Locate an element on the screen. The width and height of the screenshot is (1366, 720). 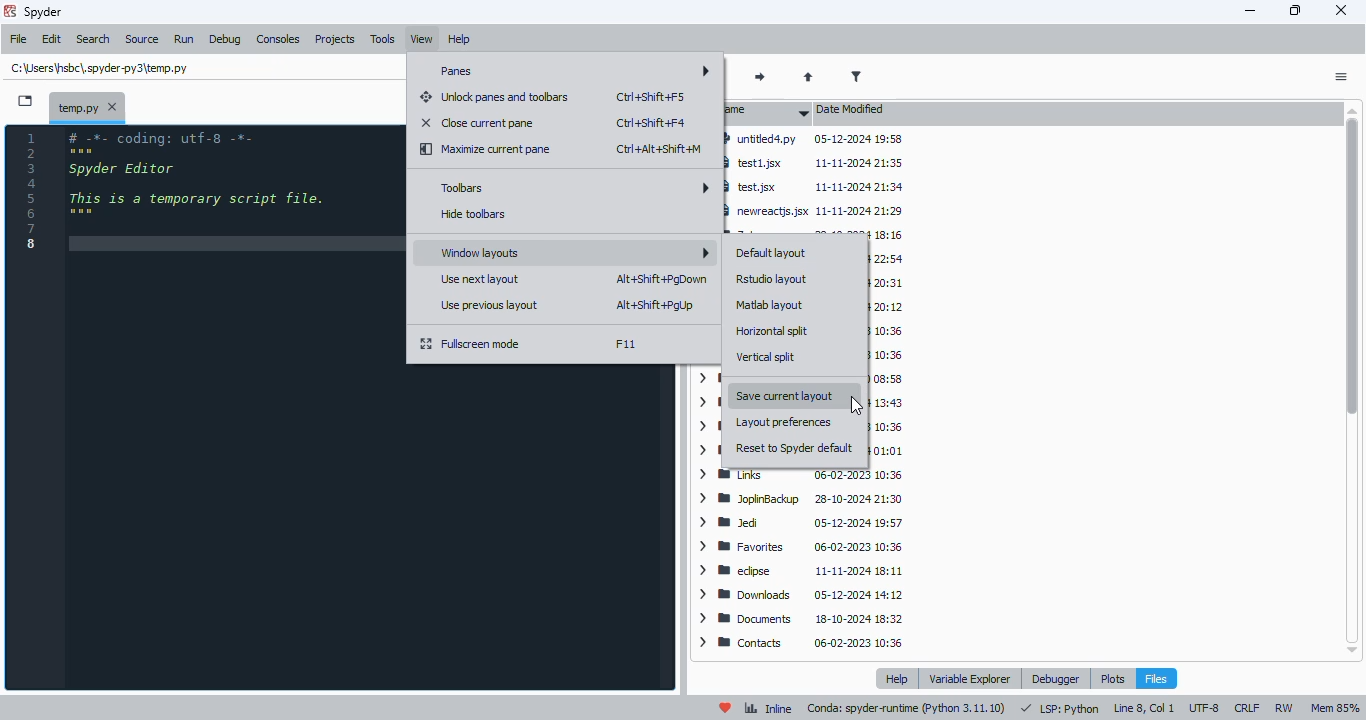
shortcut for use next layout is located at coordinates (662, 279).